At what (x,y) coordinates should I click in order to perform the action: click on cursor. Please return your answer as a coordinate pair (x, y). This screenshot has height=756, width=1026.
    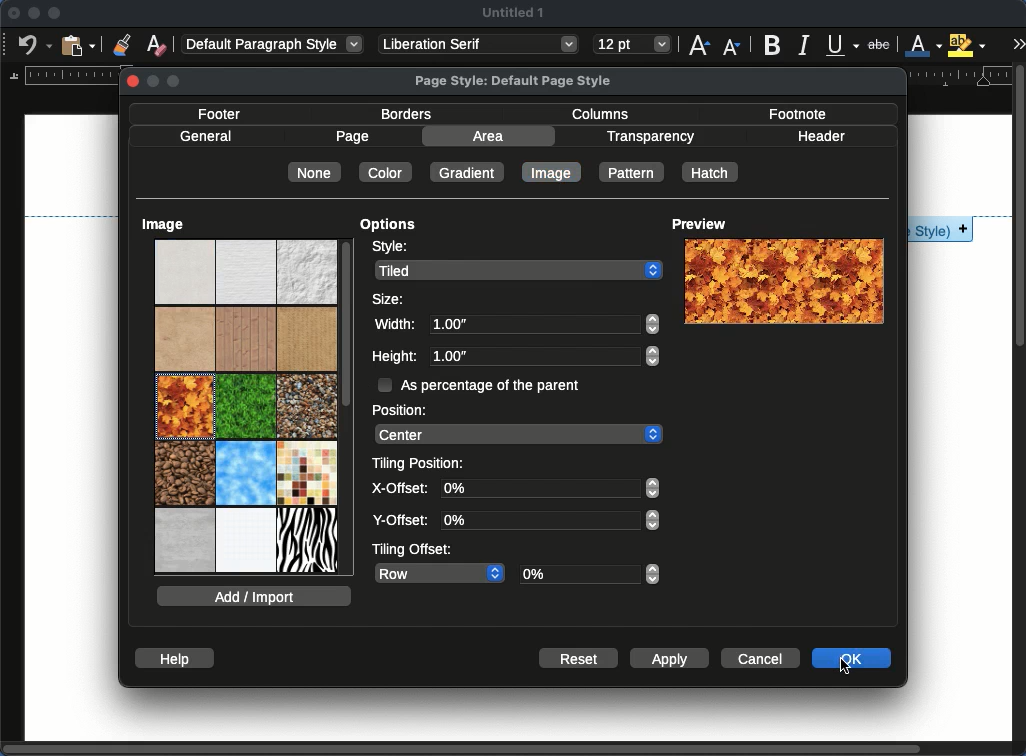
    Looking at the image, I should click on (849, 663).